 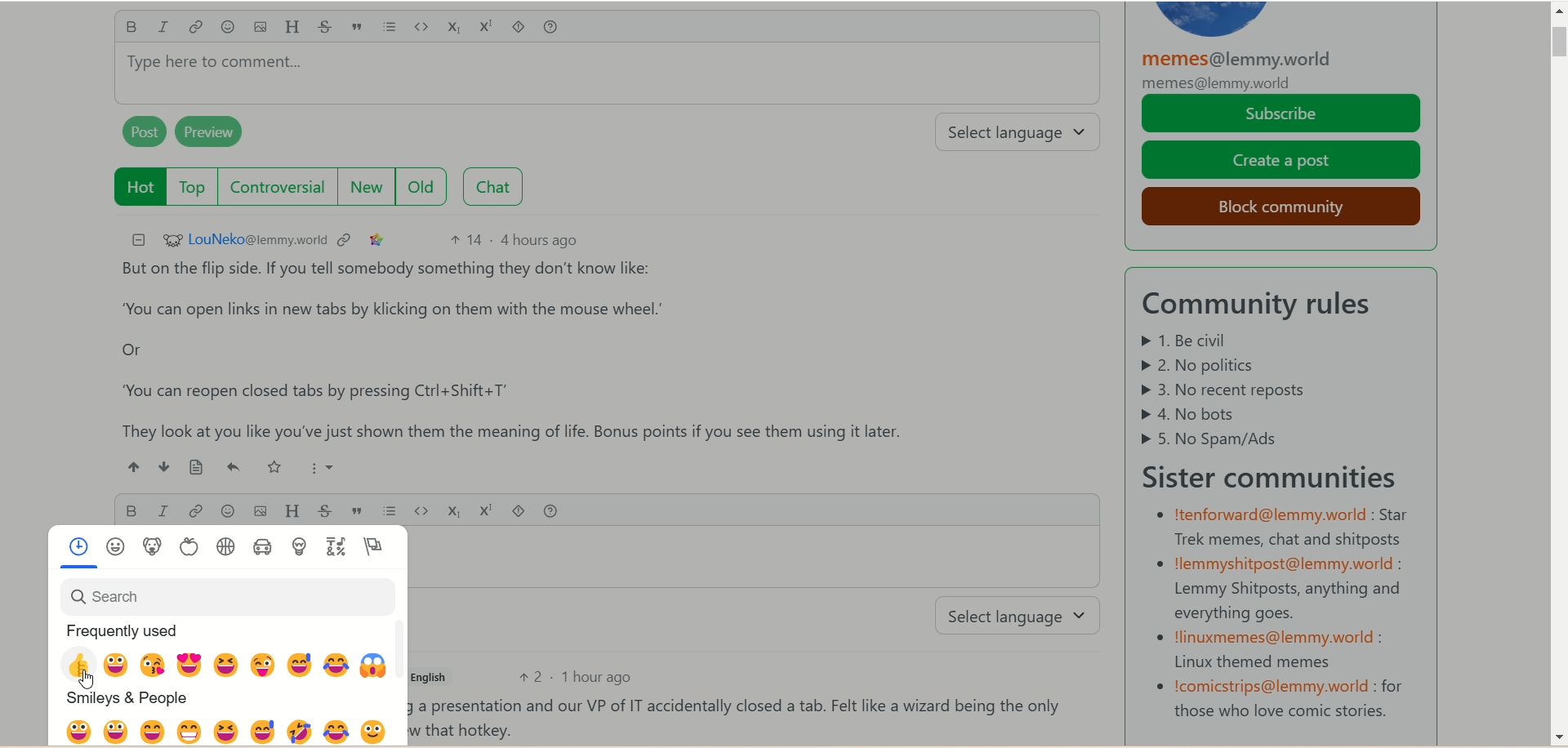 I want to click on quote, so click(x=360, y=510).